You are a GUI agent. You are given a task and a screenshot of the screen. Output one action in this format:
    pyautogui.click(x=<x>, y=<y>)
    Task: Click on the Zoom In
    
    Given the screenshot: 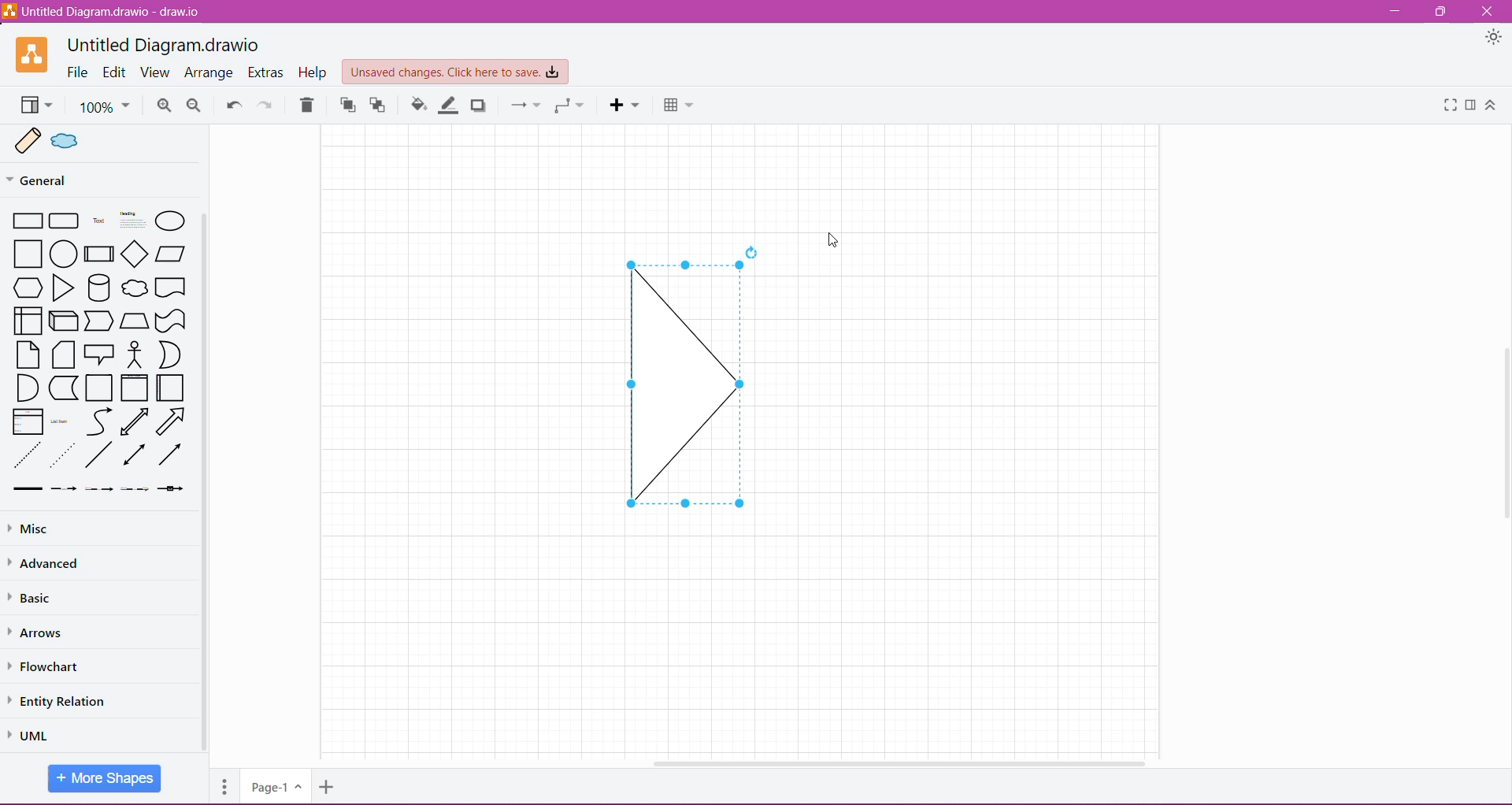 What is the action you would take?
    pyautogui.click(x=164, y=106)
    